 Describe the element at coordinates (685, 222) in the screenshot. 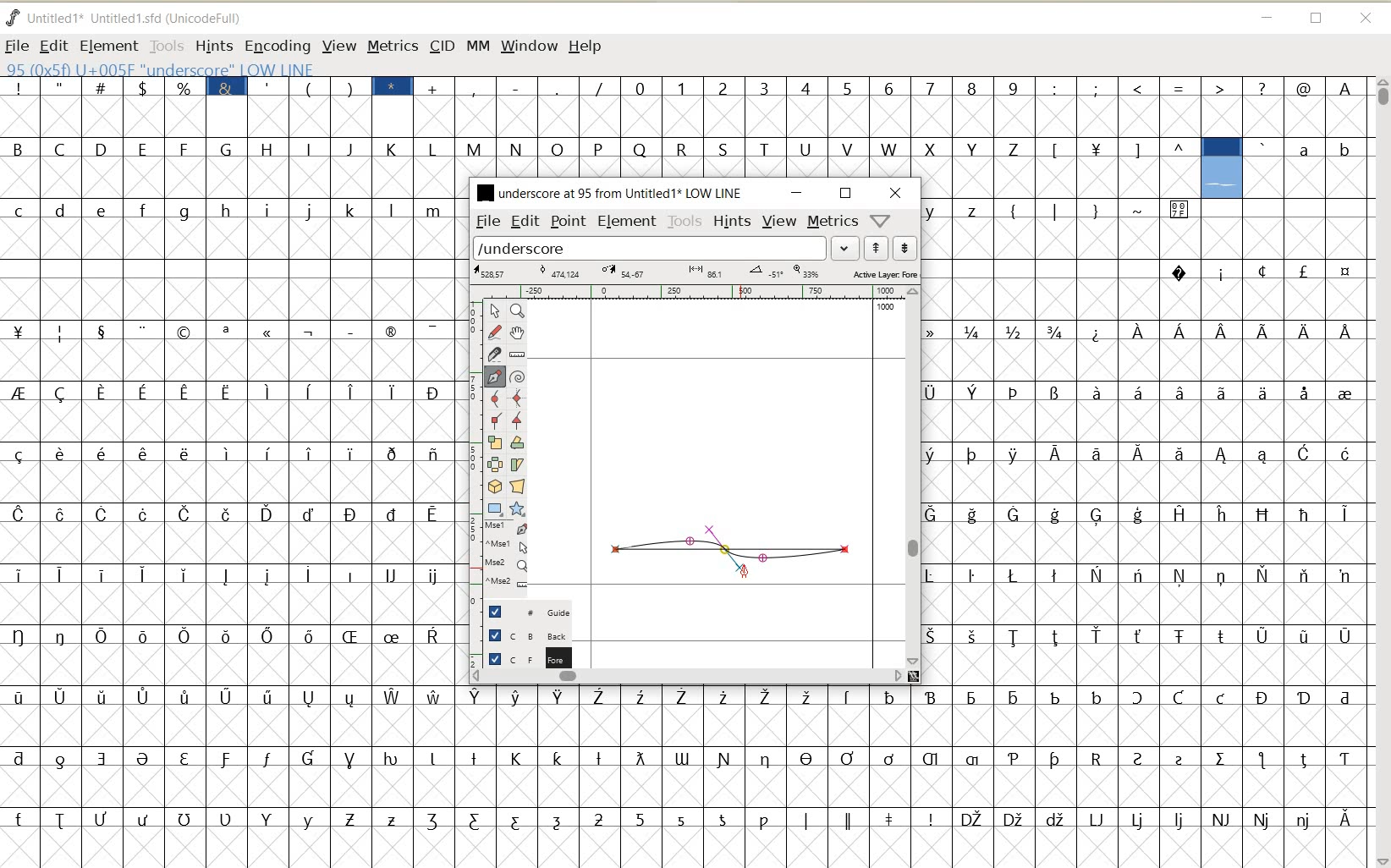

I see `TOOLS` at that location.